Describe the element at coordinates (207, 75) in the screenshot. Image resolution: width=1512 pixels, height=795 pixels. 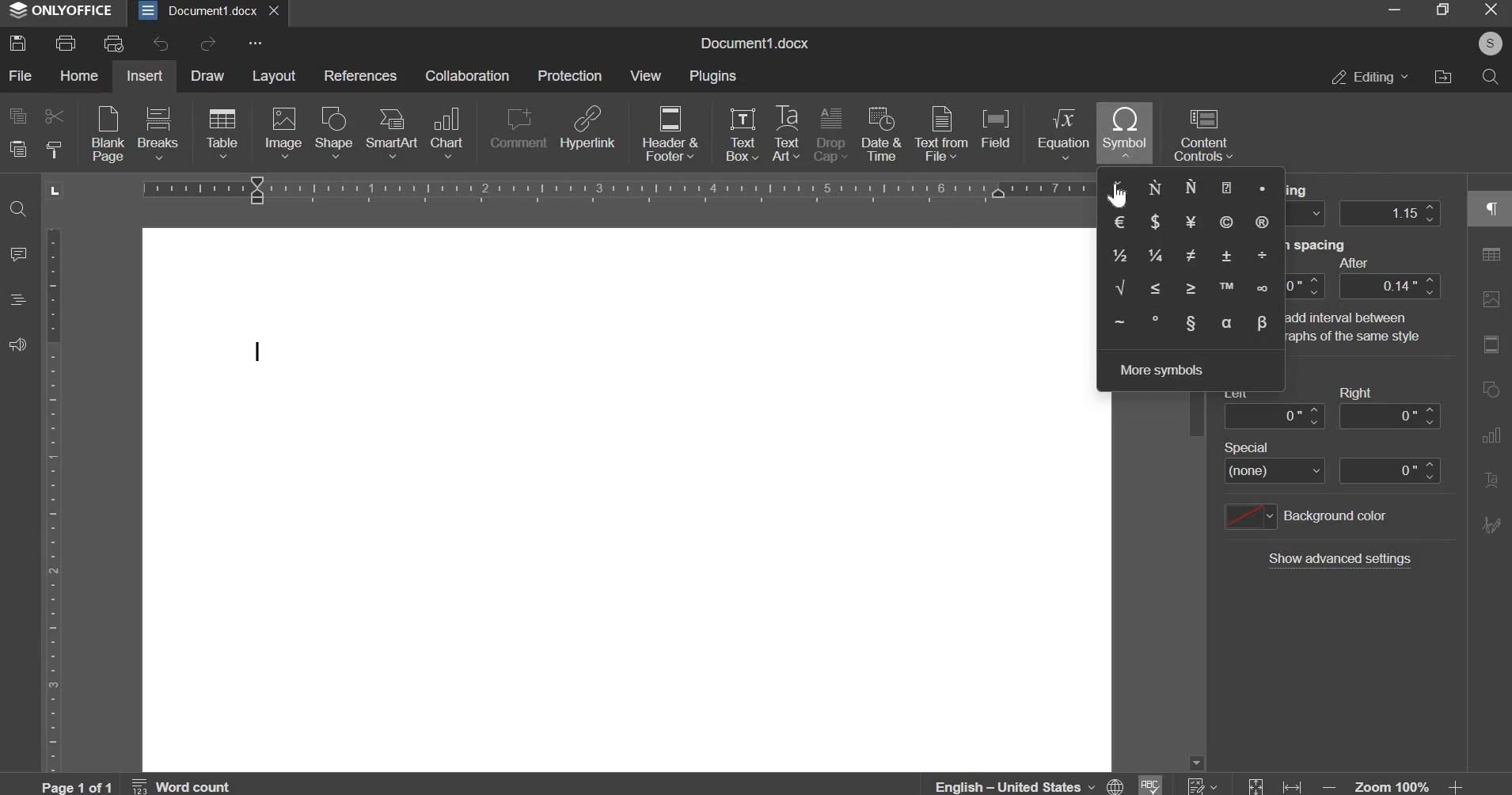
I see `draw` at that location.